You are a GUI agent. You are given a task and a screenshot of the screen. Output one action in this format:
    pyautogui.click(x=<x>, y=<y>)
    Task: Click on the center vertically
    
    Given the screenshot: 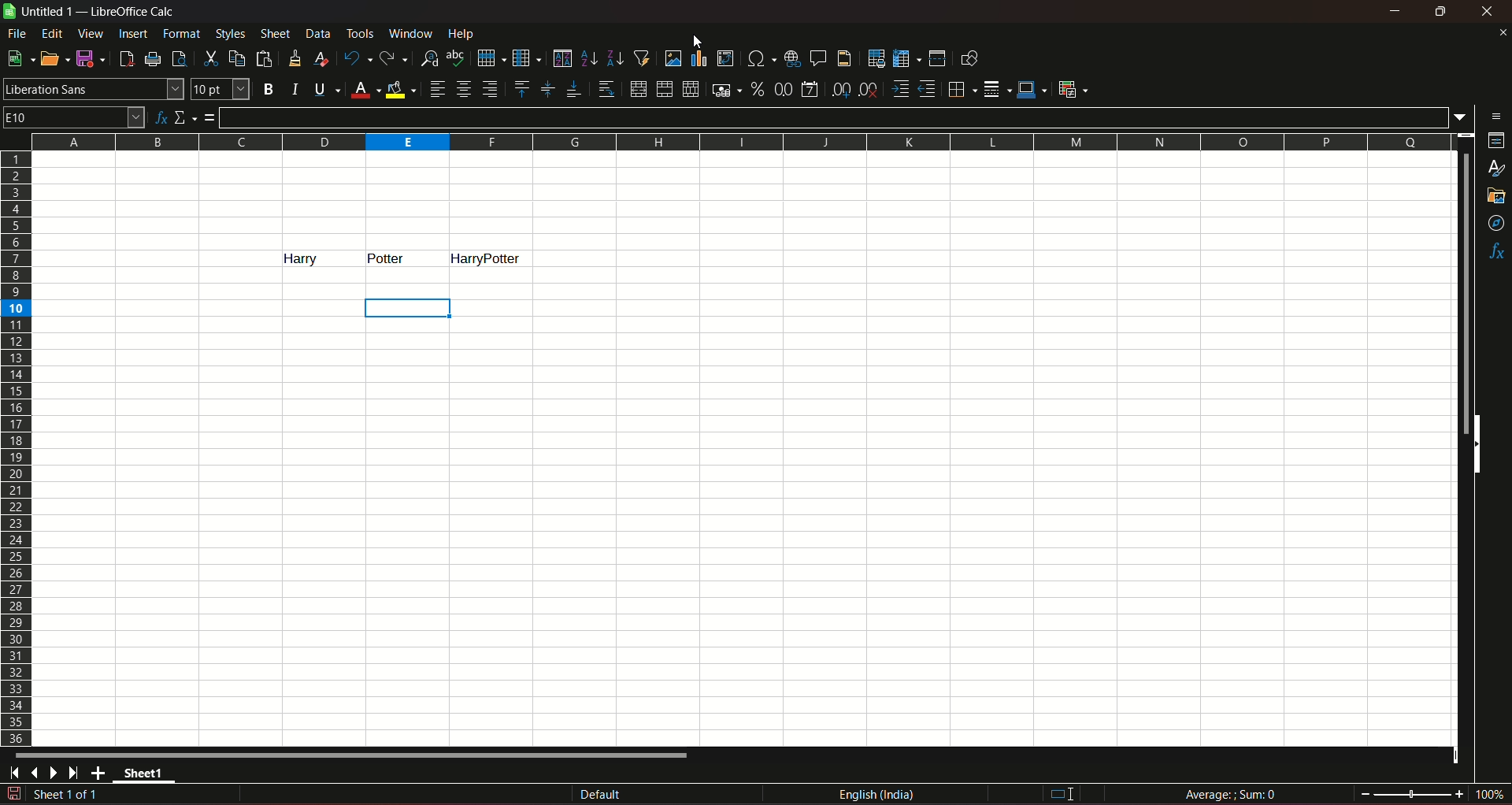 What is the action you would take?
    pyautogui.click(x=547, y=89)
    